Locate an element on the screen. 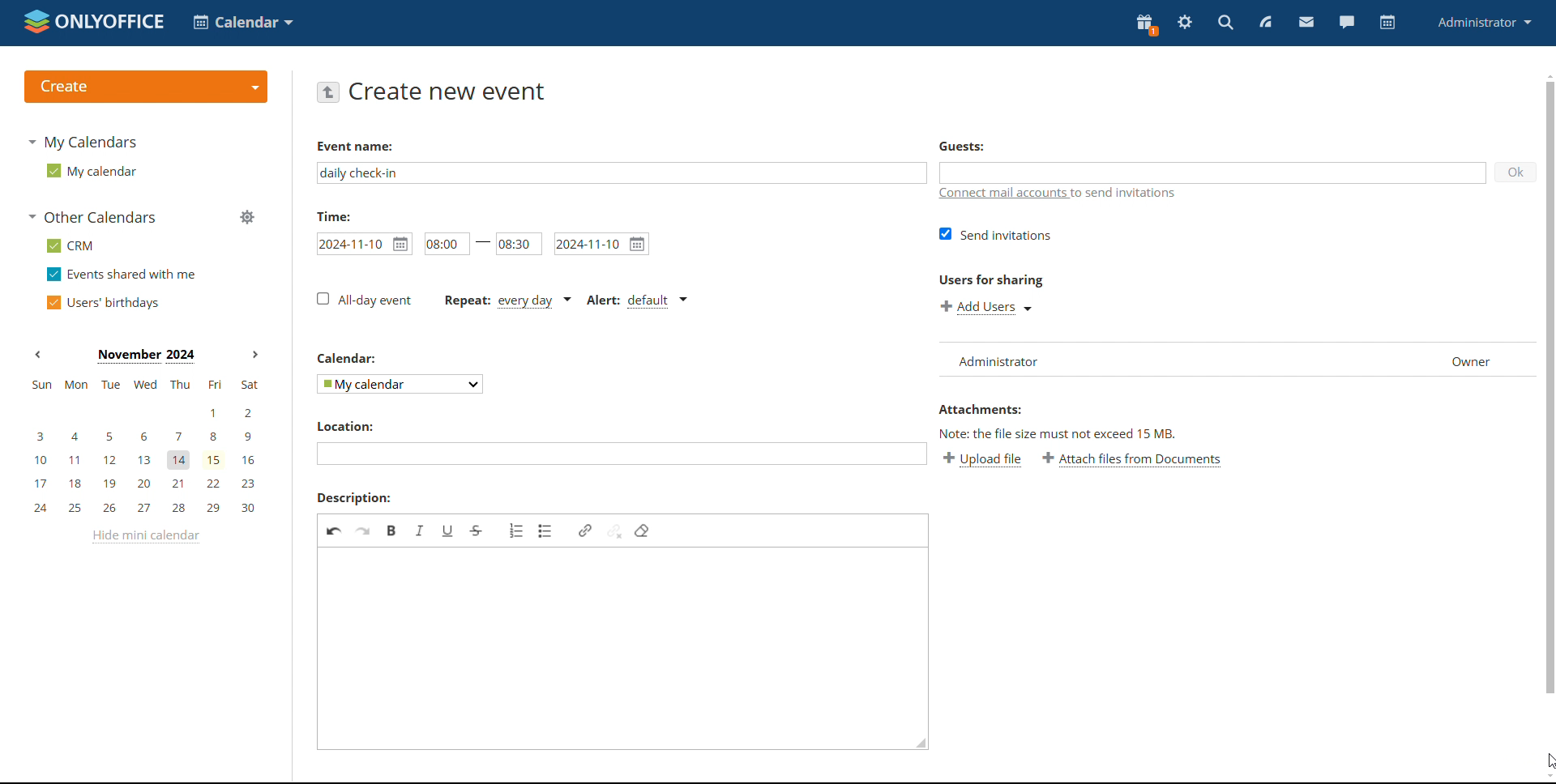 The height and width of the screenshot is (784, 1556). connect mail accounts  is located at coordinates (1070, 194).